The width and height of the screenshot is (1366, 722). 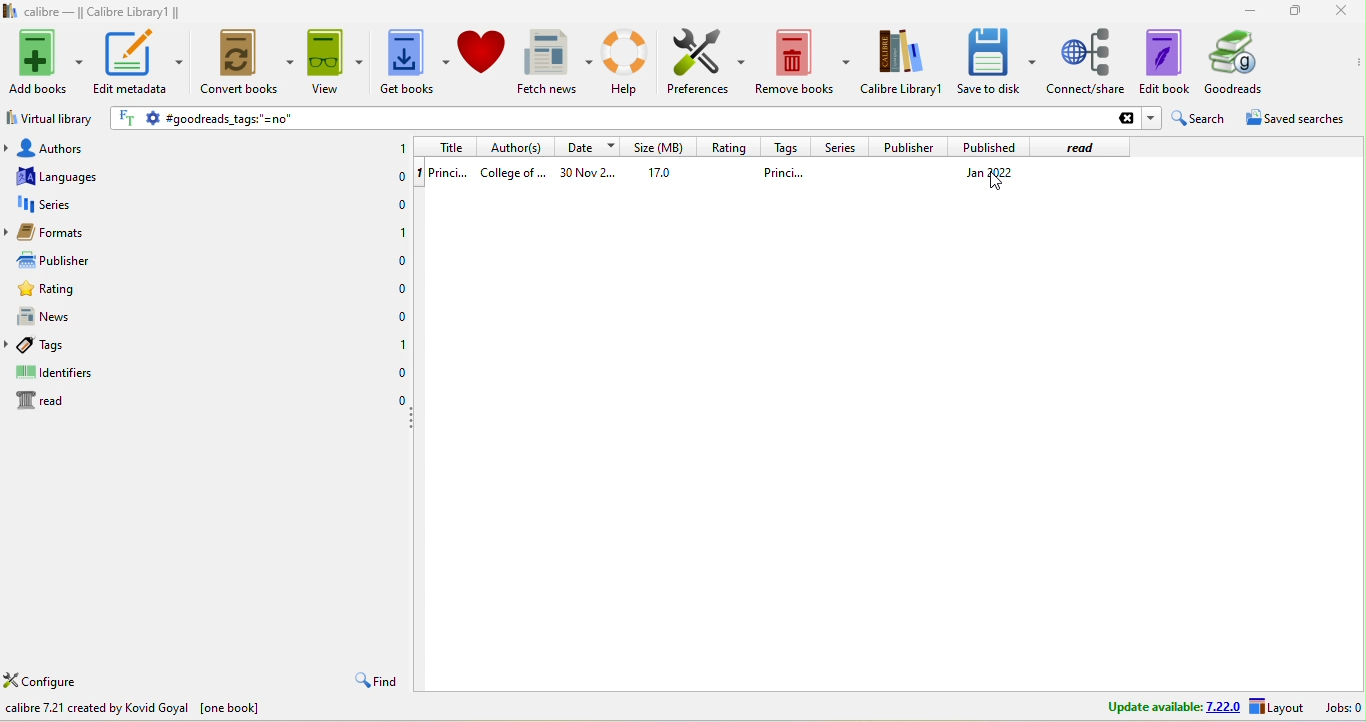 I want to click on donate, so click(x=484, y=60).